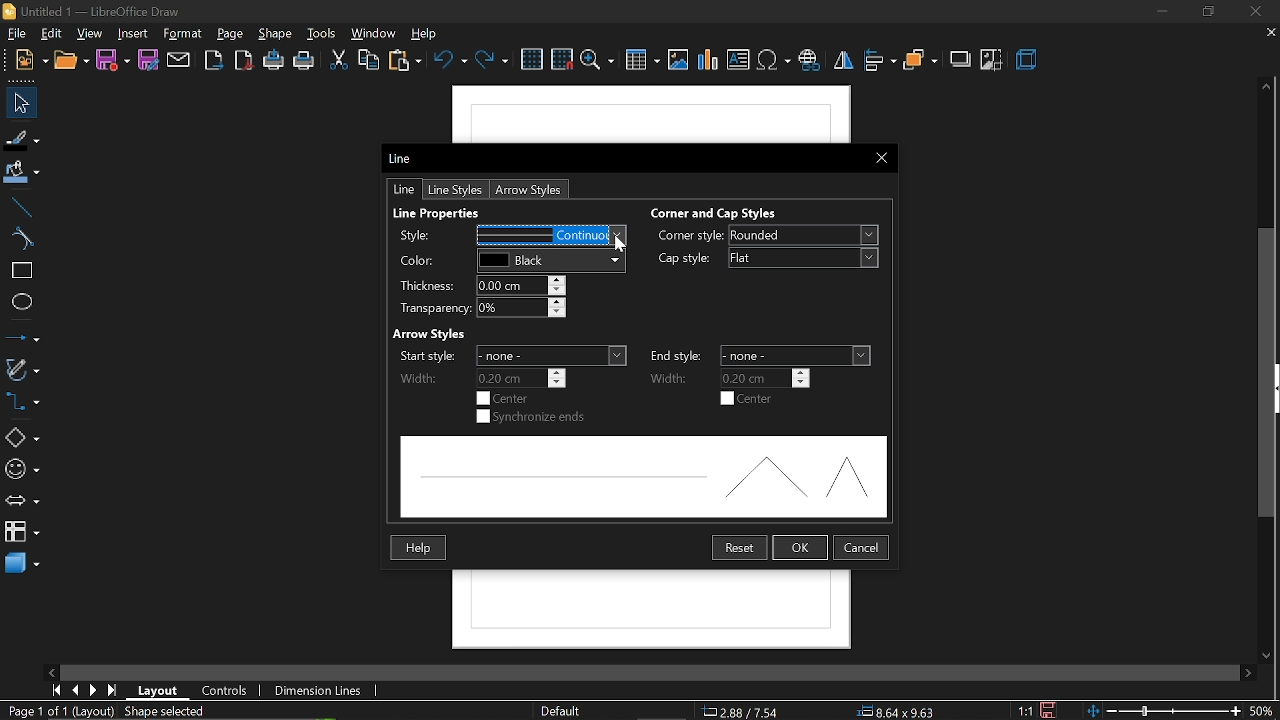  I want to click on redo, so click(493, 60).